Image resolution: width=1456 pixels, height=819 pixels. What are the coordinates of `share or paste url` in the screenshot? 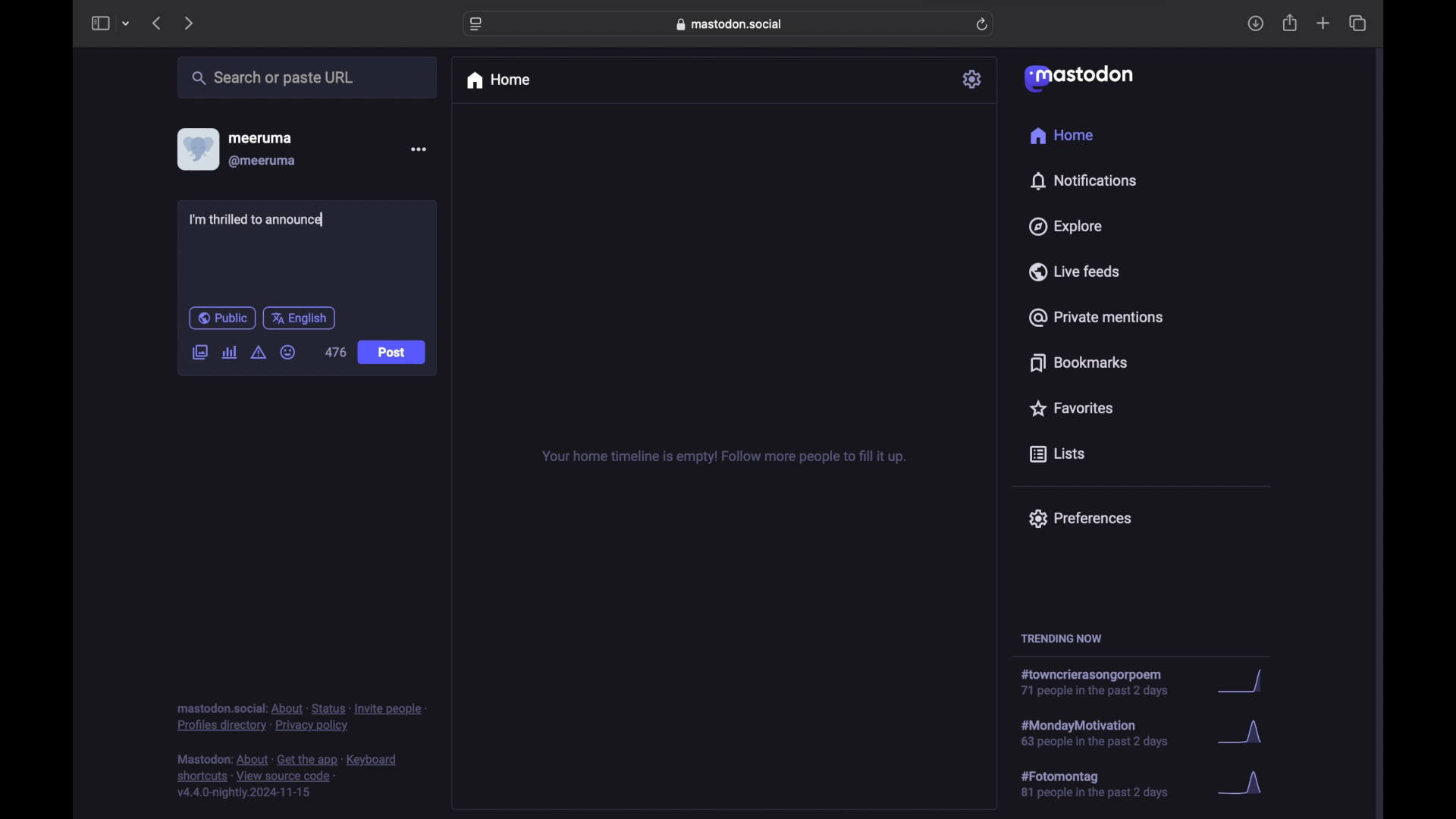 It's located at (273, 77).